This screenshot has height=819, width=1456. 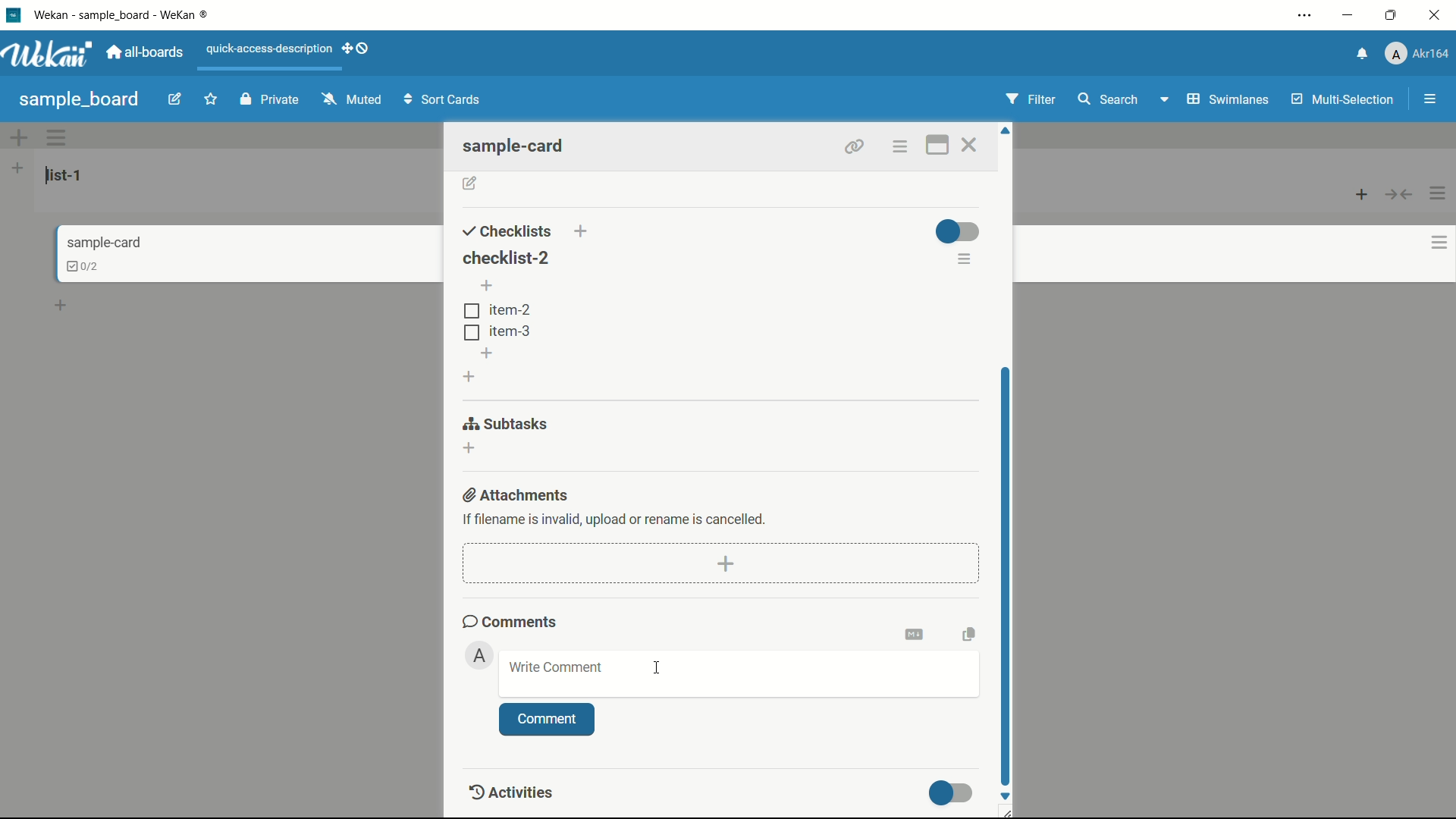 What do you see at coordinates (510, 621) in the screenshot?
I see `comments` at bounding box center [510, 621].